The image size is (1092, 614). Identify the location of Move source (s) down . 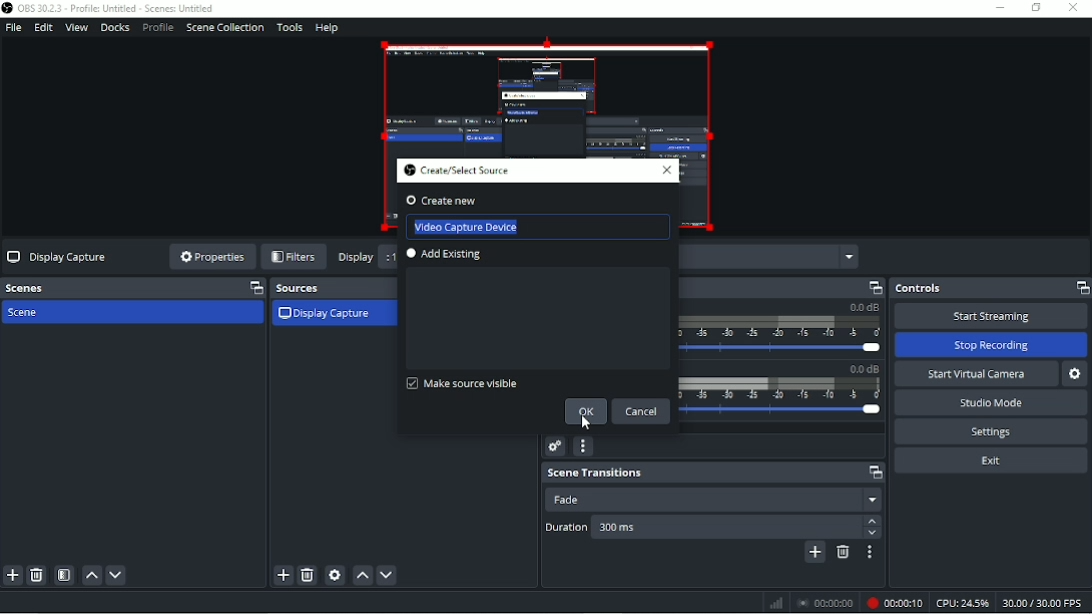
(386, 575).